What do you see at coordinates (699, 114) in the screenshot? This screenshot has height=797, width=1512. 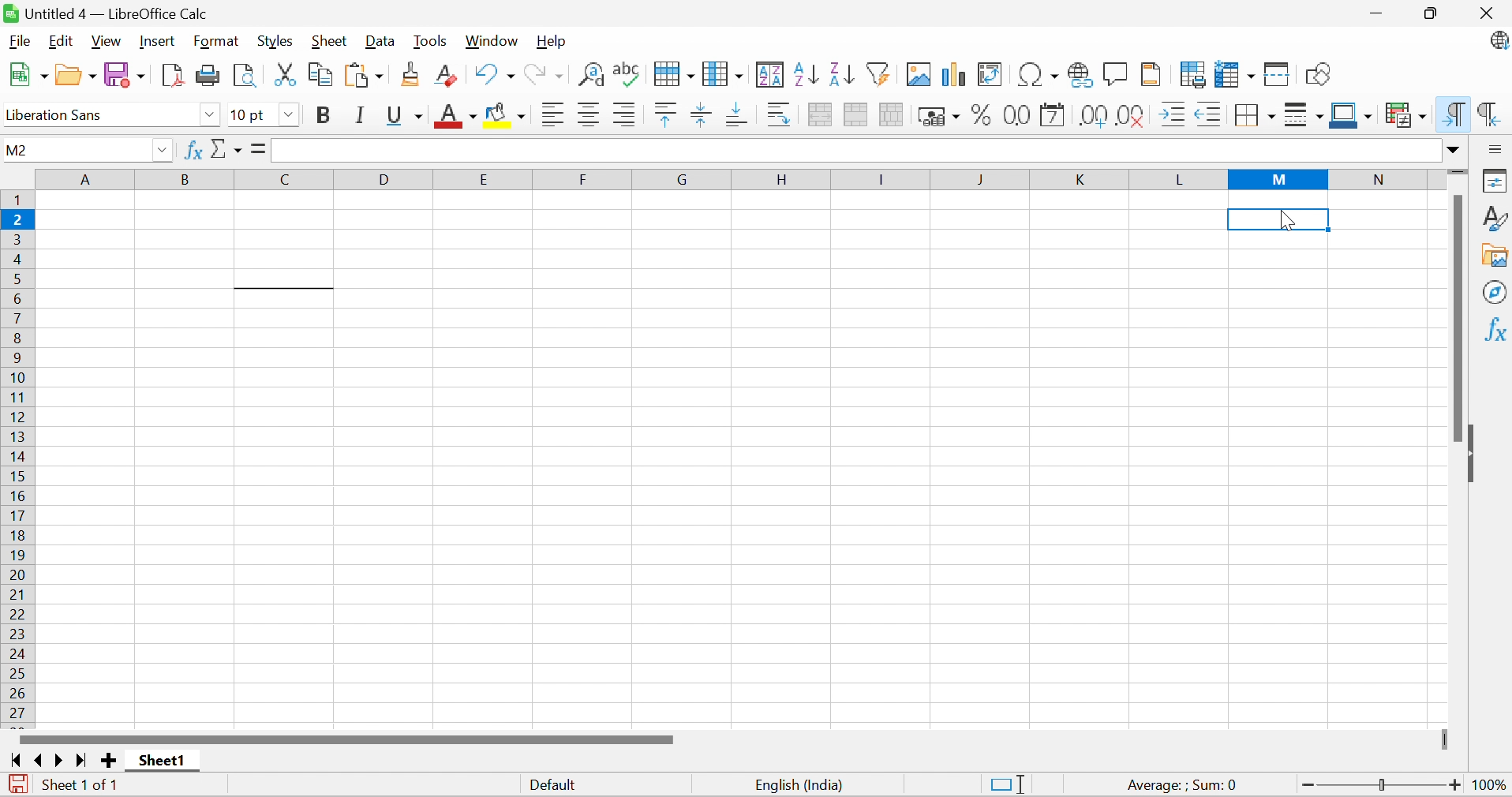 I see `Center vertically` at bounding box center [699, 114].